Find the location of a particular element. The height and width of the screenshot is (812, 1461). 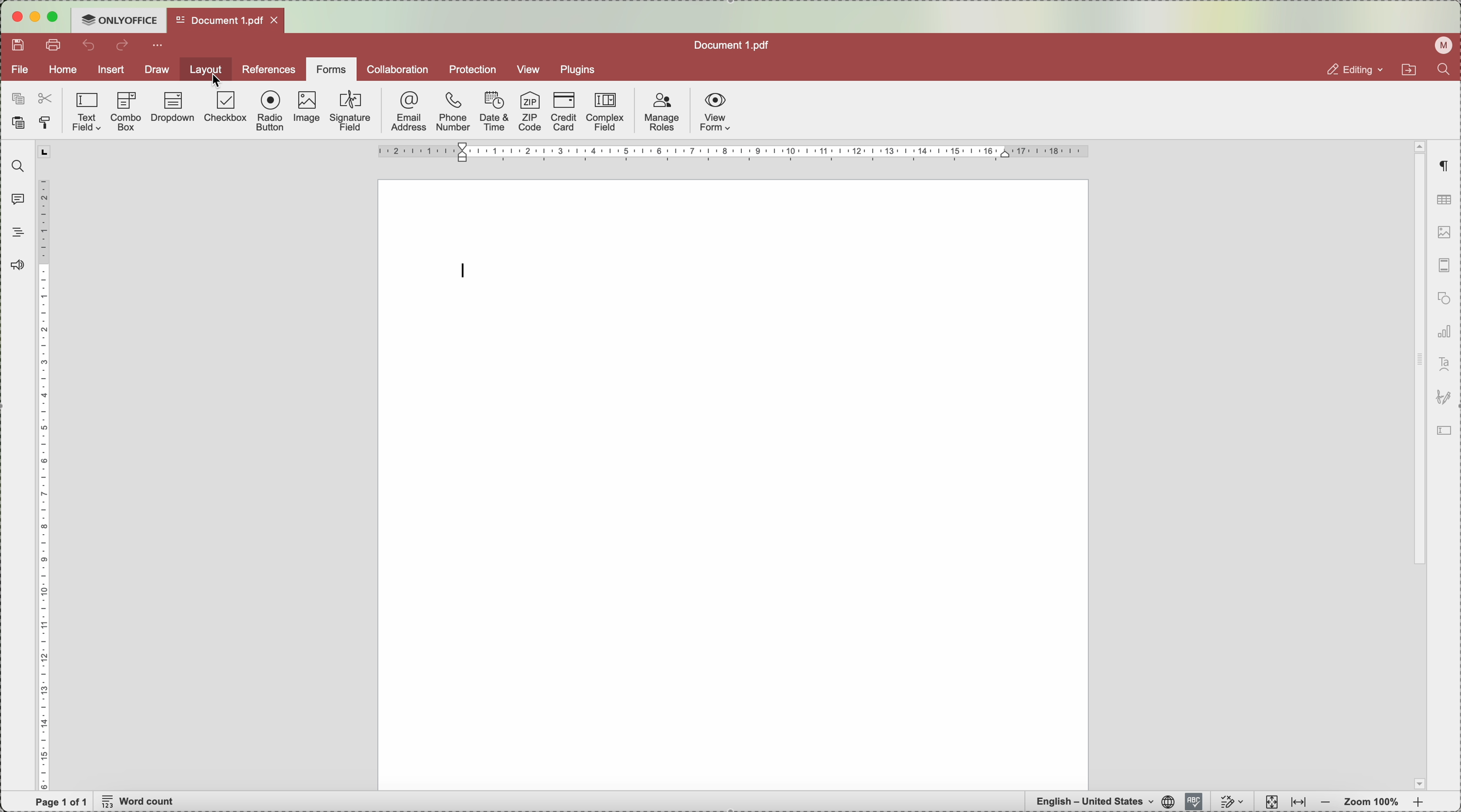

home is located at coordinates (64, 71).